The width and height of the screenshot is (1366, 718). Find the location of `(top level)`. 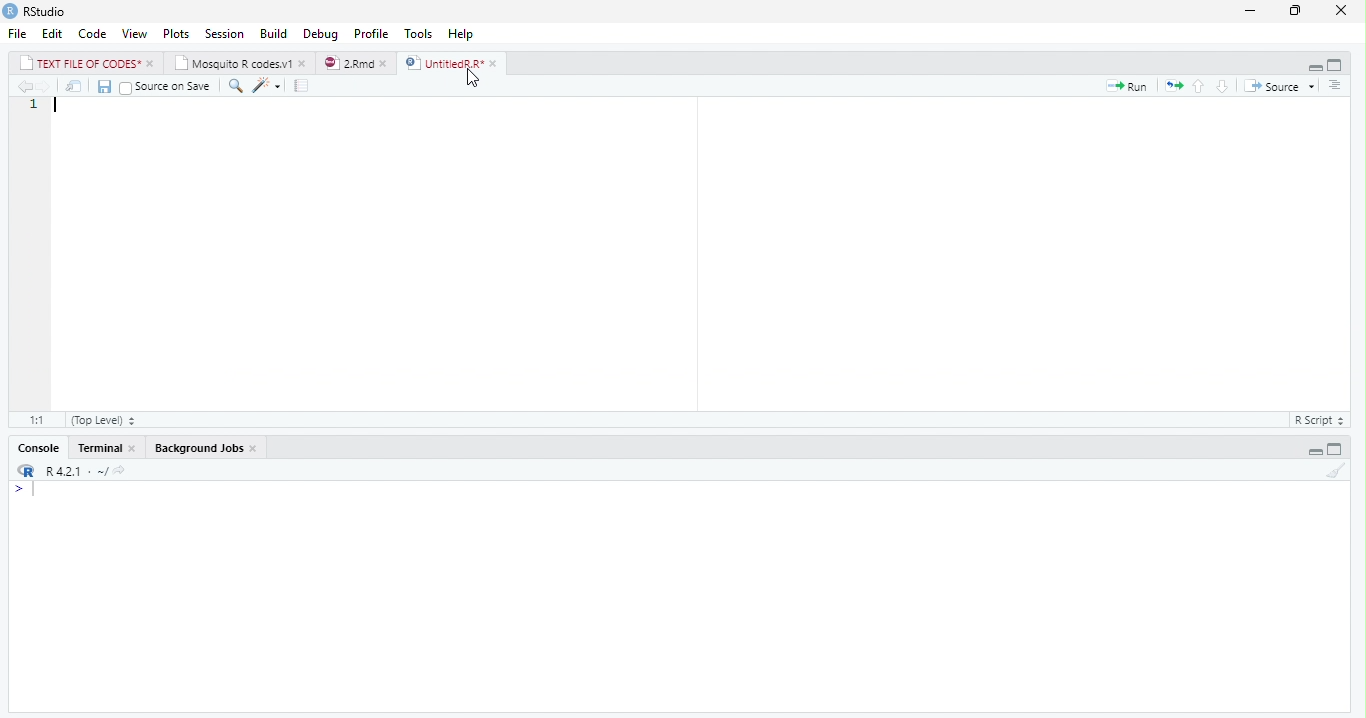

(top level) is located at coordinates (103, 420).